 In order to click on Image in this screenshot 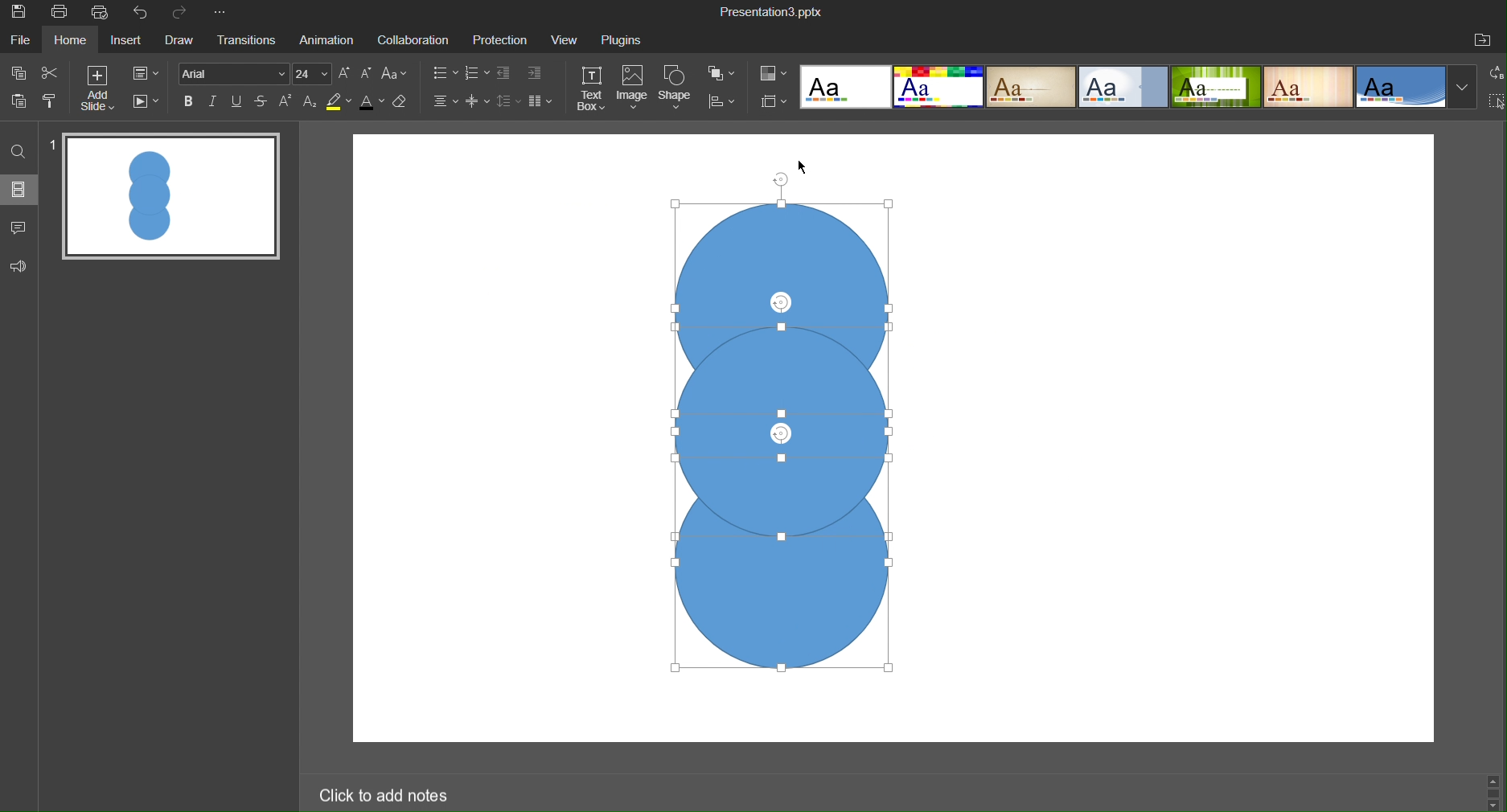, I will do `click(634, 89)`.